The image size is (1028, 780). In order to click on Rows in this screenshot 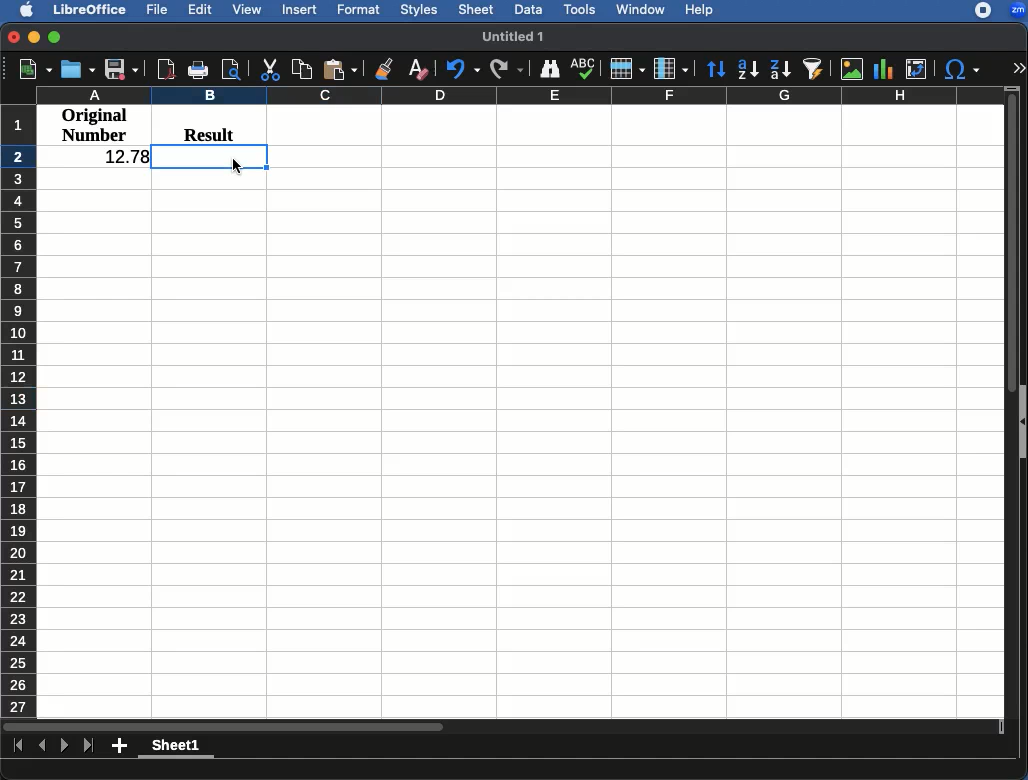, I will do `click(19, 411)`.